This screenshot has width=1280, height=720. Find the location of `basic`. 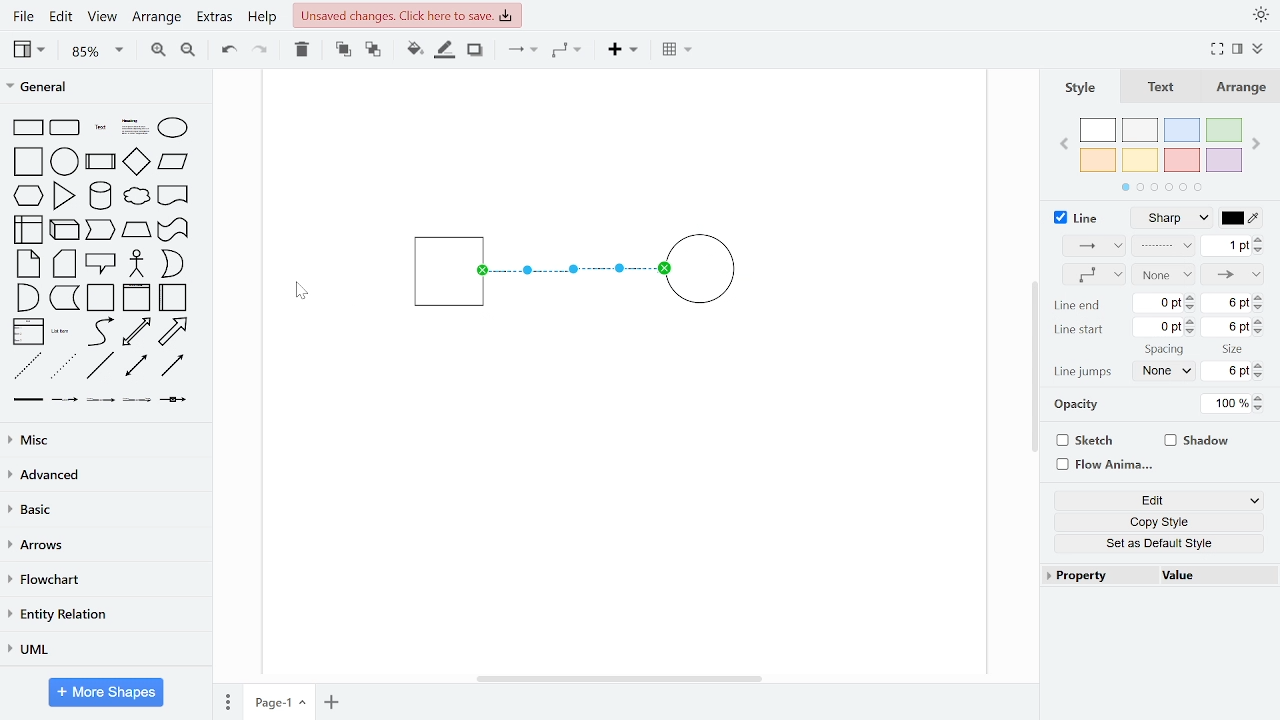

basic is located at coordinates (104, 509).